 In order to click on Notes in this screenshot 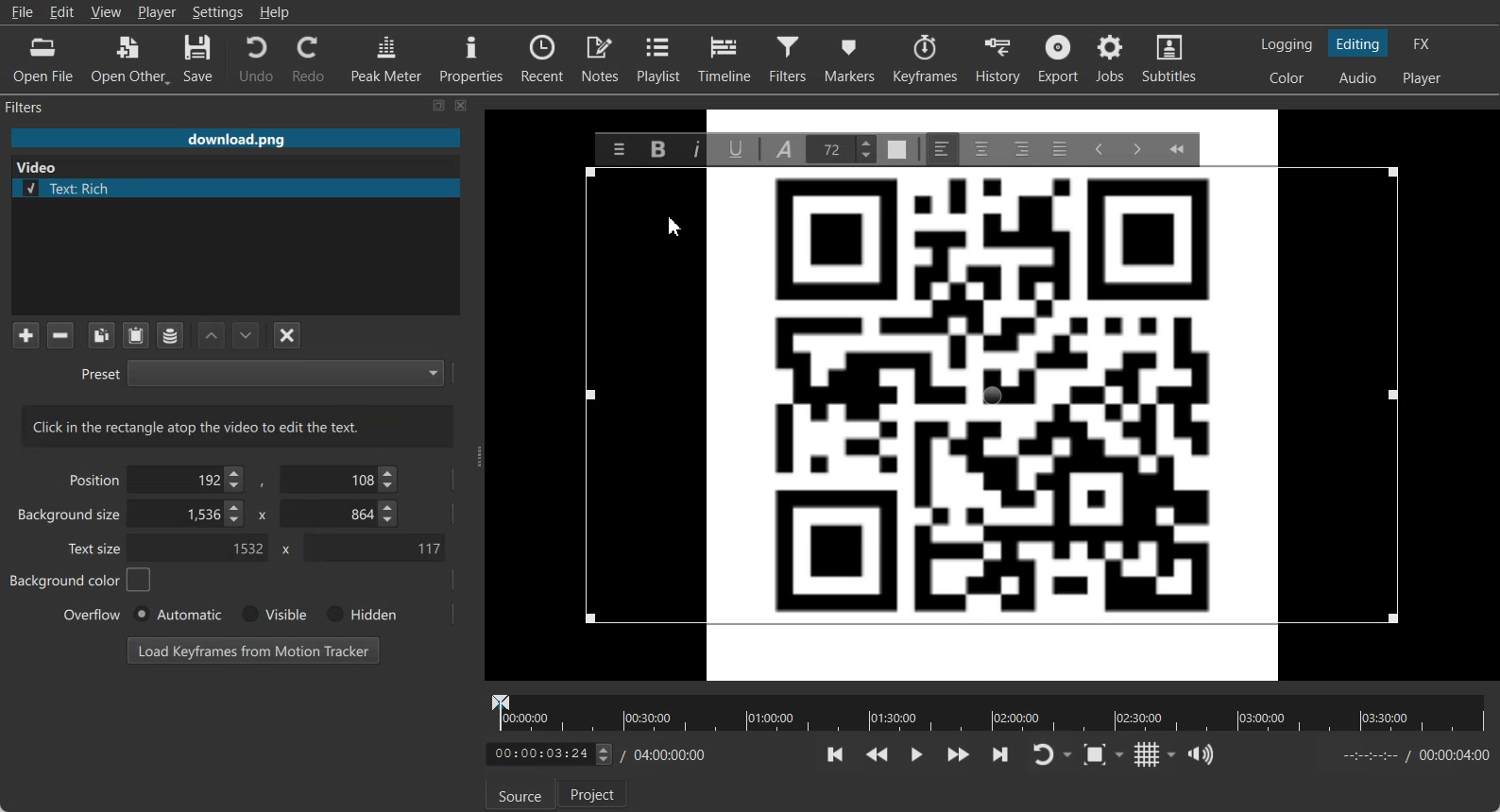, I will do `click(602, 58)`.